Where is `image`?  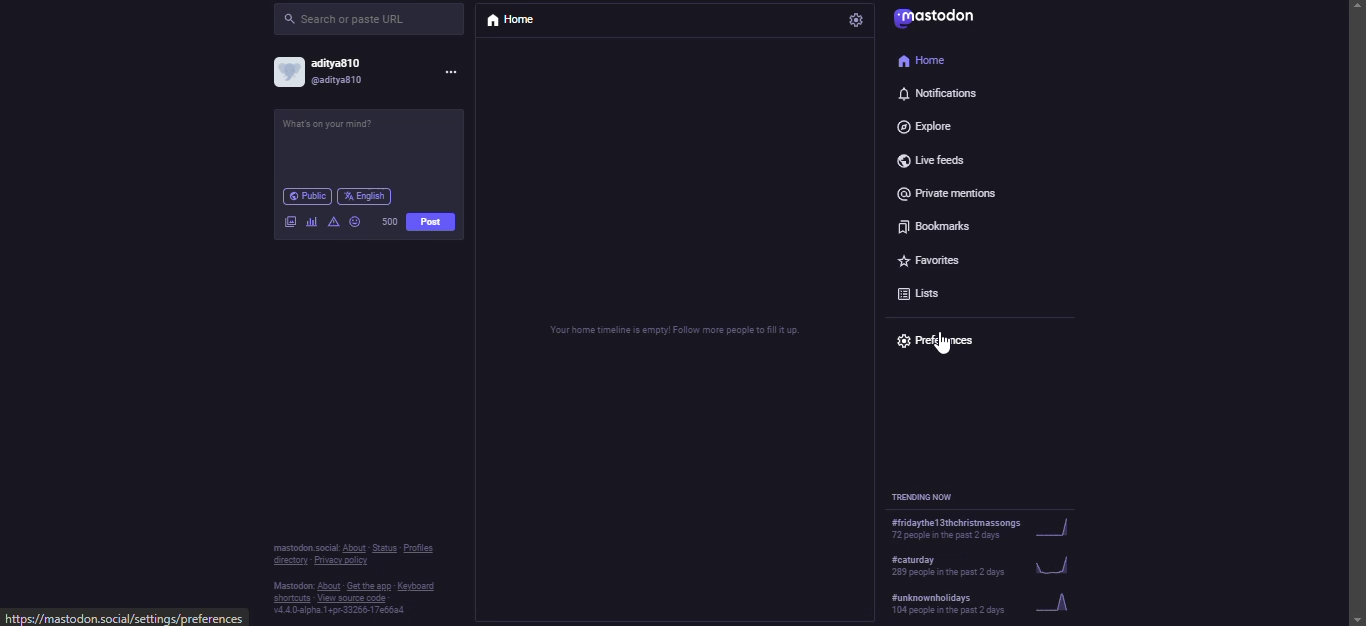 image is located at coordinates (290, 220).